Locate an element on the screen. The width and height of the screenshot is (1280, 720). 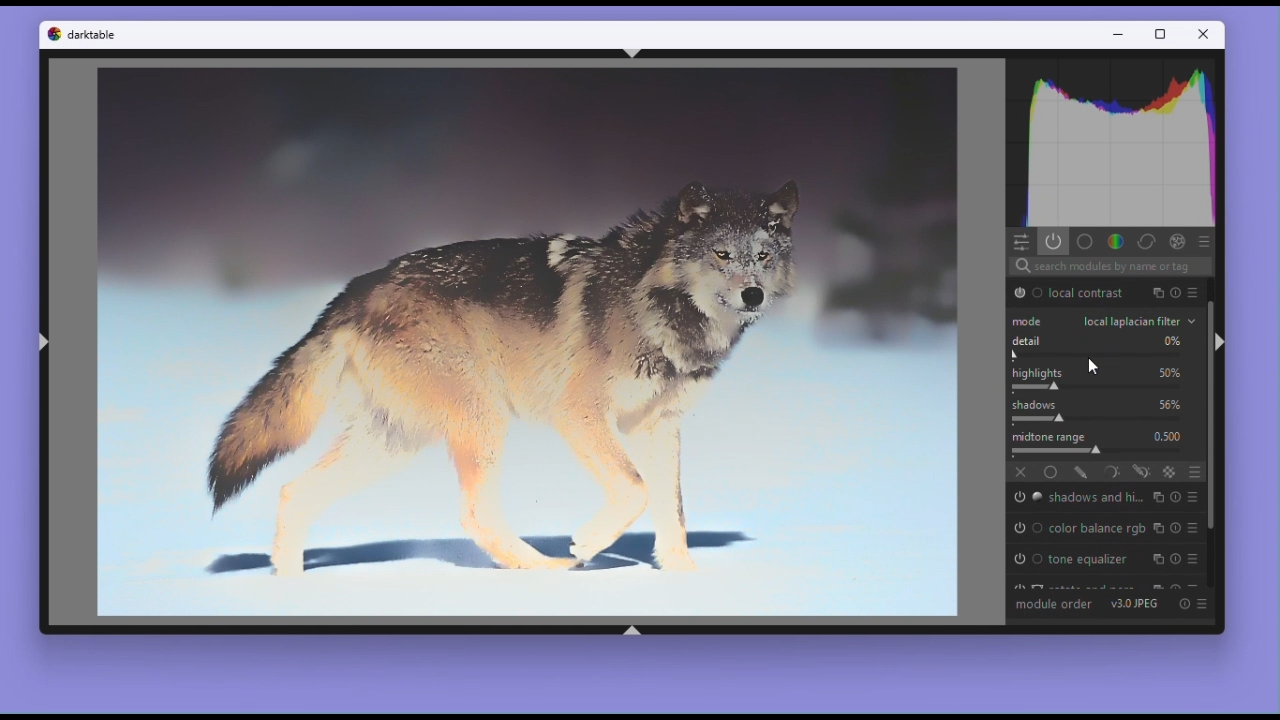
module order is located at coordinates (1053, 603).